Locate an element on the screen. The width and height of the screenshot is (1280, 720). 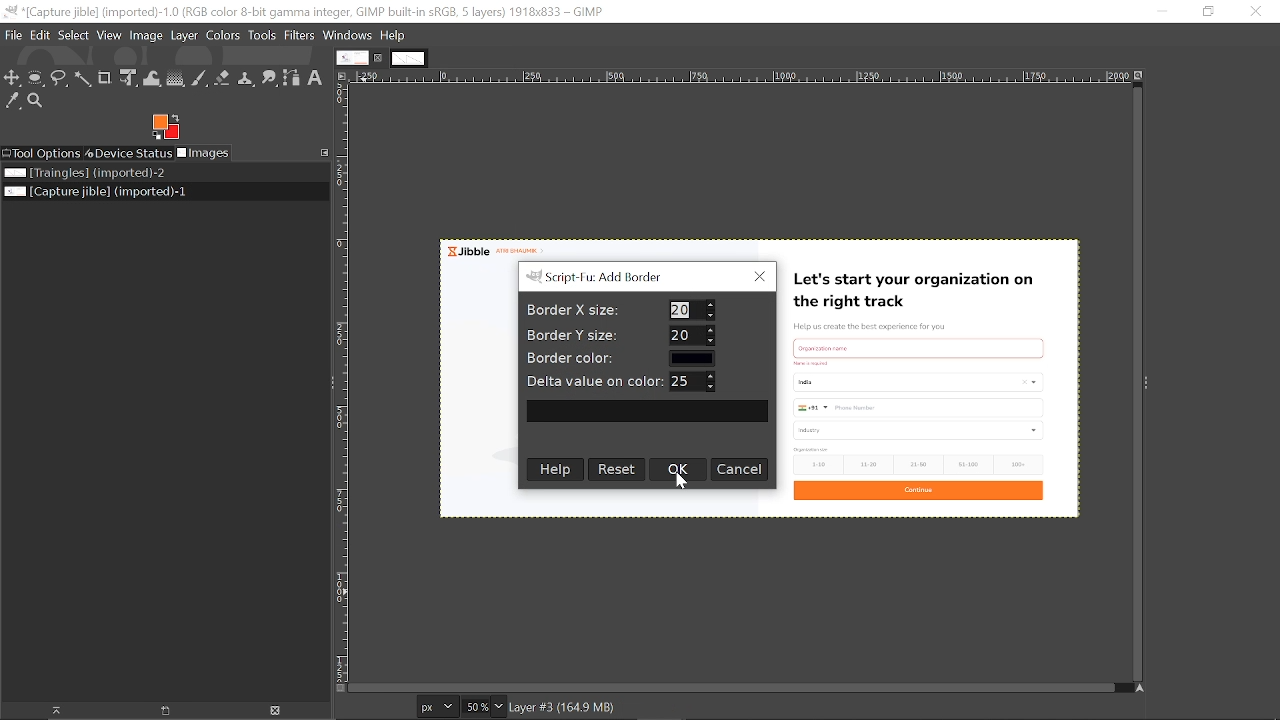
Other tab is located at coordinates (408, 59).